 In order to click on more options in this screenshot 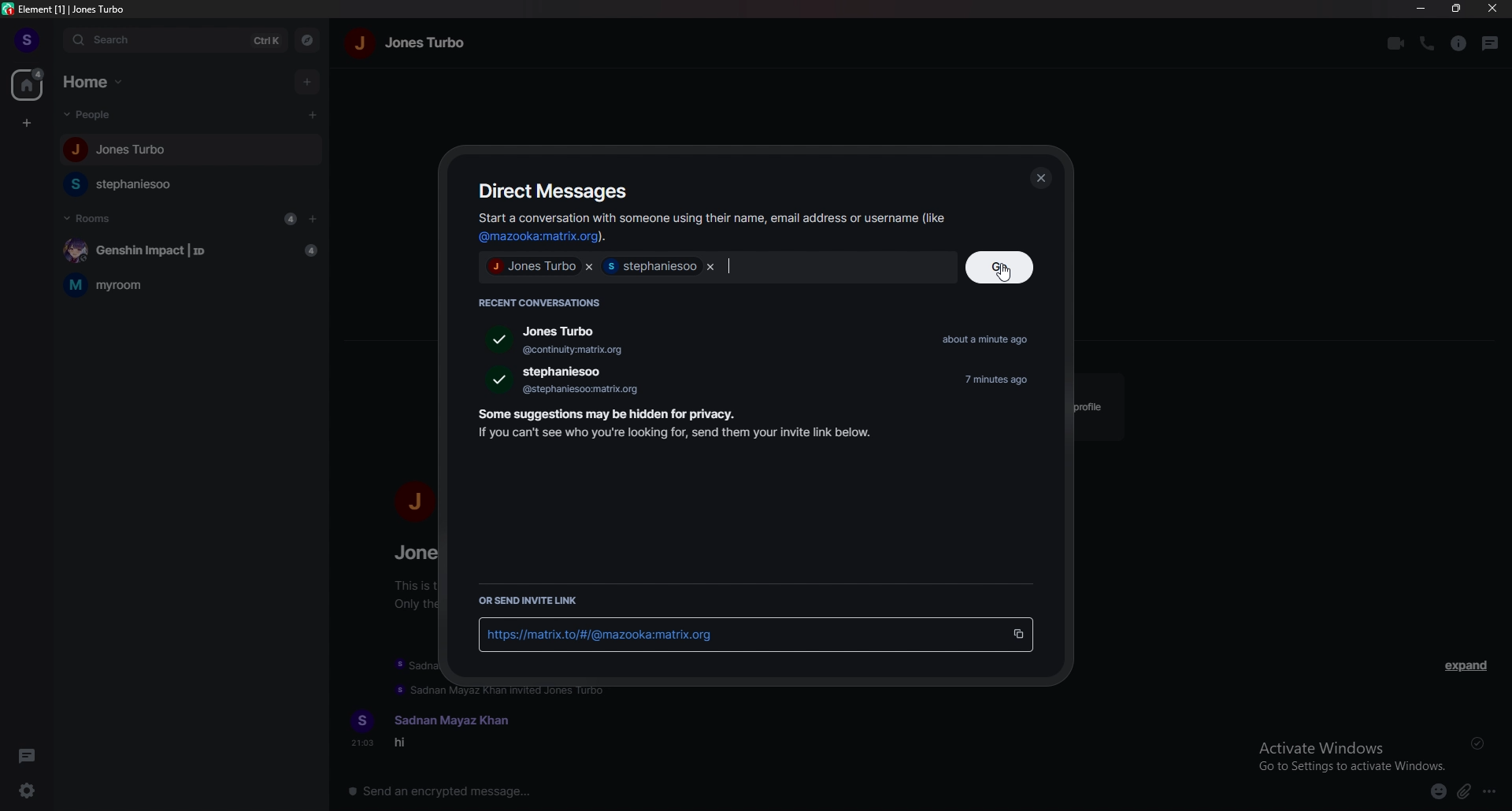, I will do `click(1490, 792)`.